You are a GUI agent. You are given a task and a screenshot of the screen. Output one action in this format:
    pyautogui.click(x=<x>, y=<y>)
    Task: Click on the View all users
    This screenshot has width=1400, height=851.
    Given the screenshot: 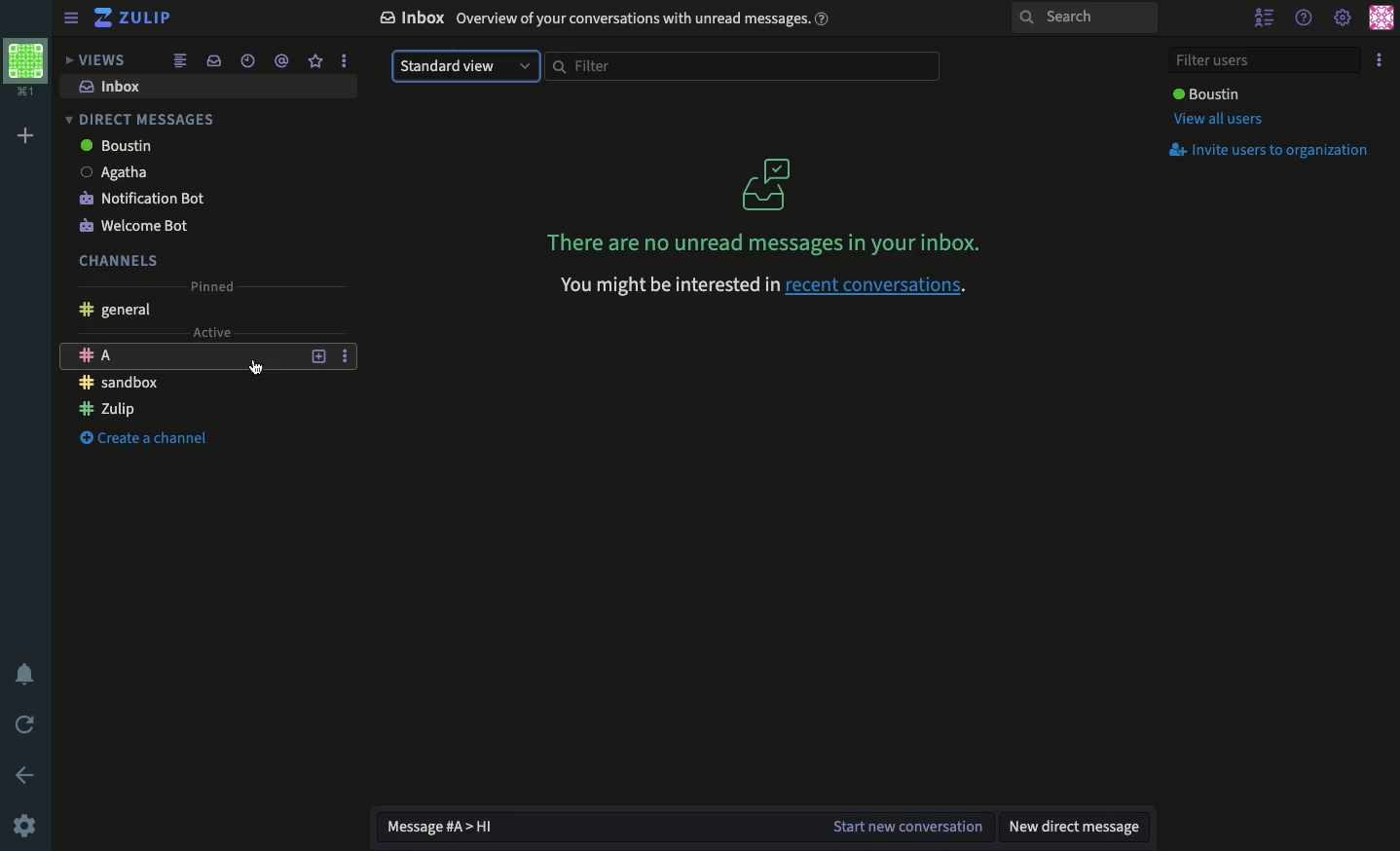 What is the action you would take?
    pyautogui.click(x=1220, y=118)
    